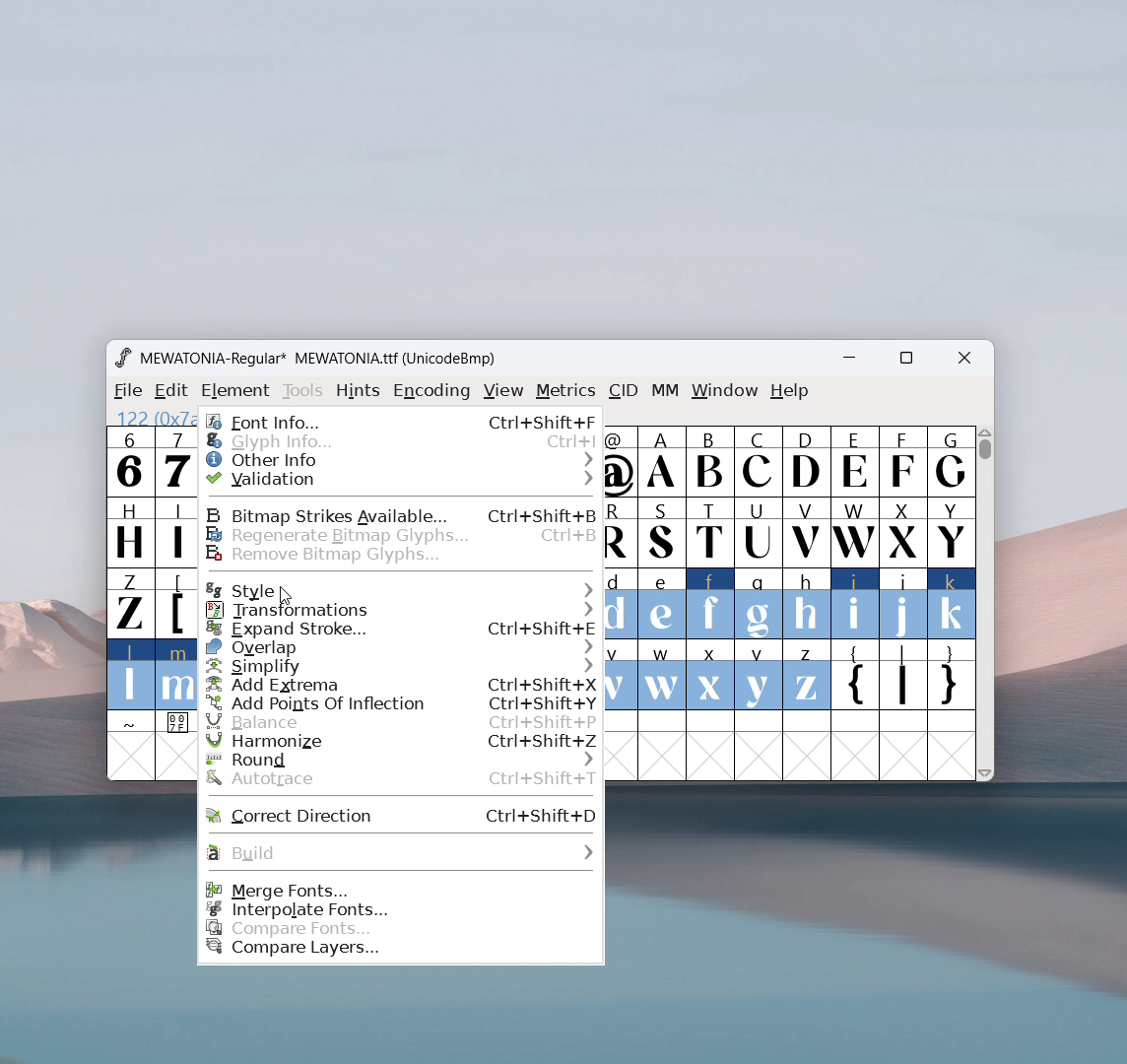  What do you see at coordinates (403, 479) in the screenshot?
I see `validation` at bounding box center [403, 479].